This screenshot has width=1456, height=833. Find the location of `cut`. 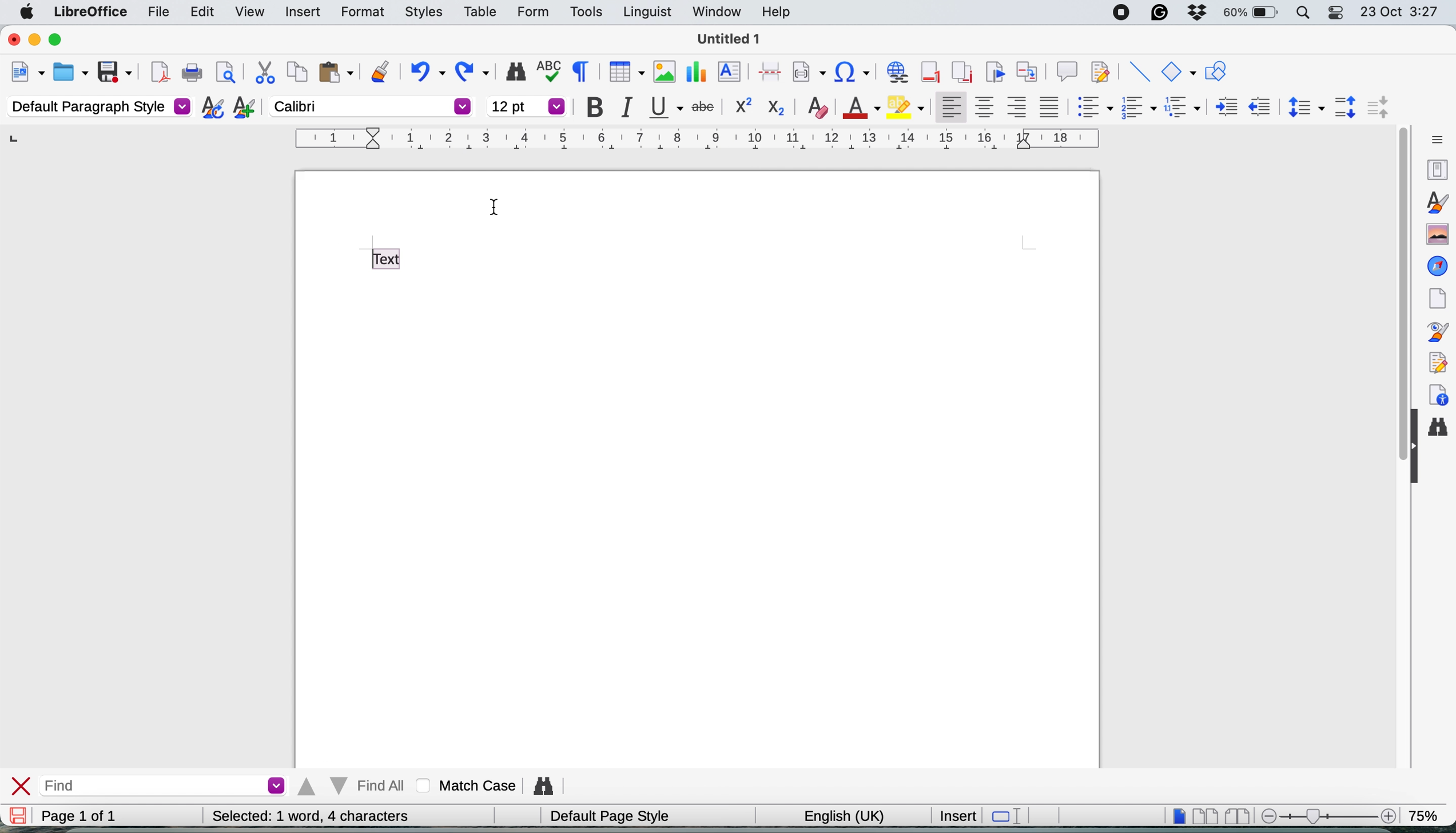

cut is located at coordinates (262, 73).